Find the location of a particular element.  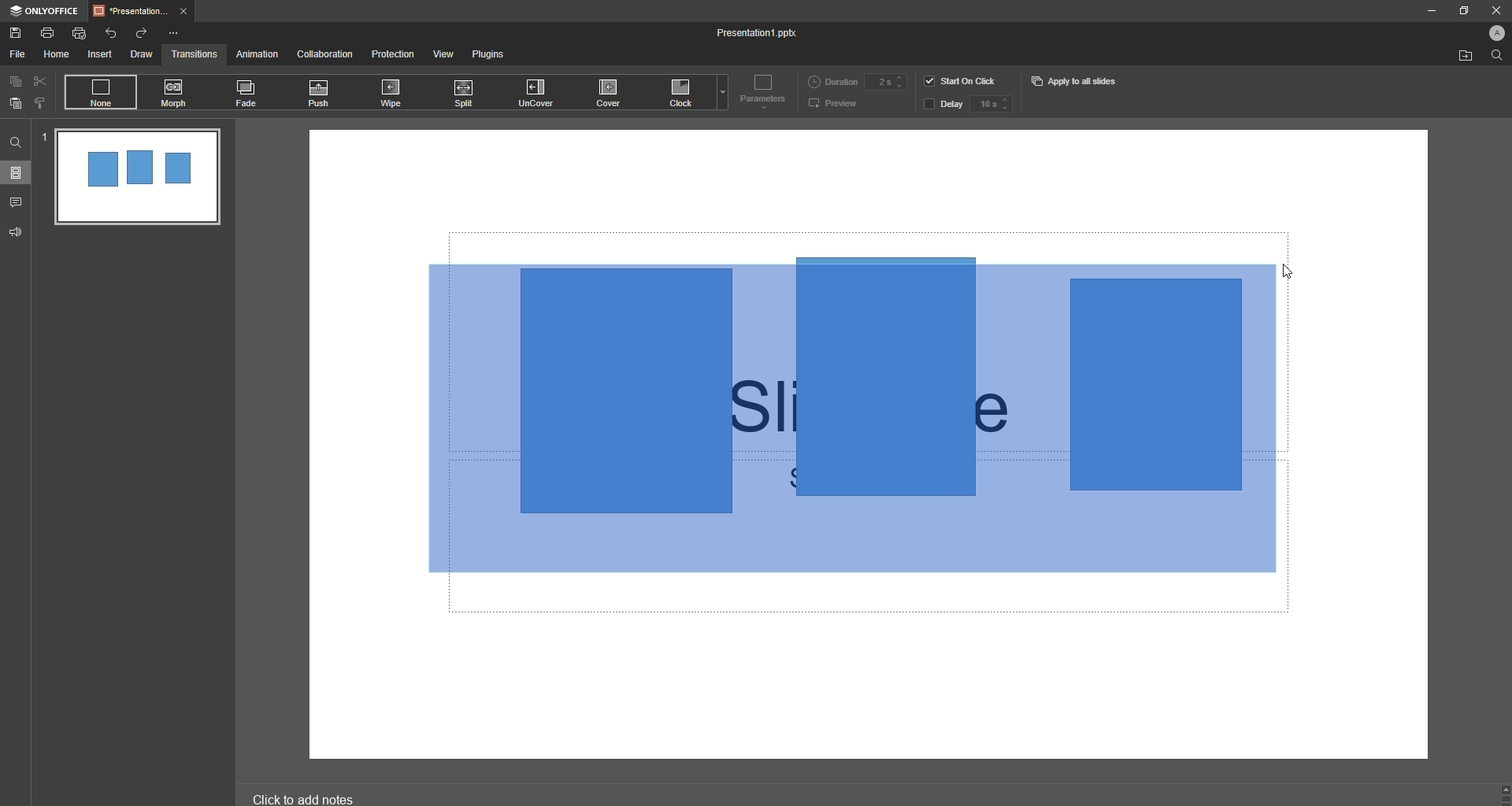

Slide Preview is located at coordinates (136, 179).